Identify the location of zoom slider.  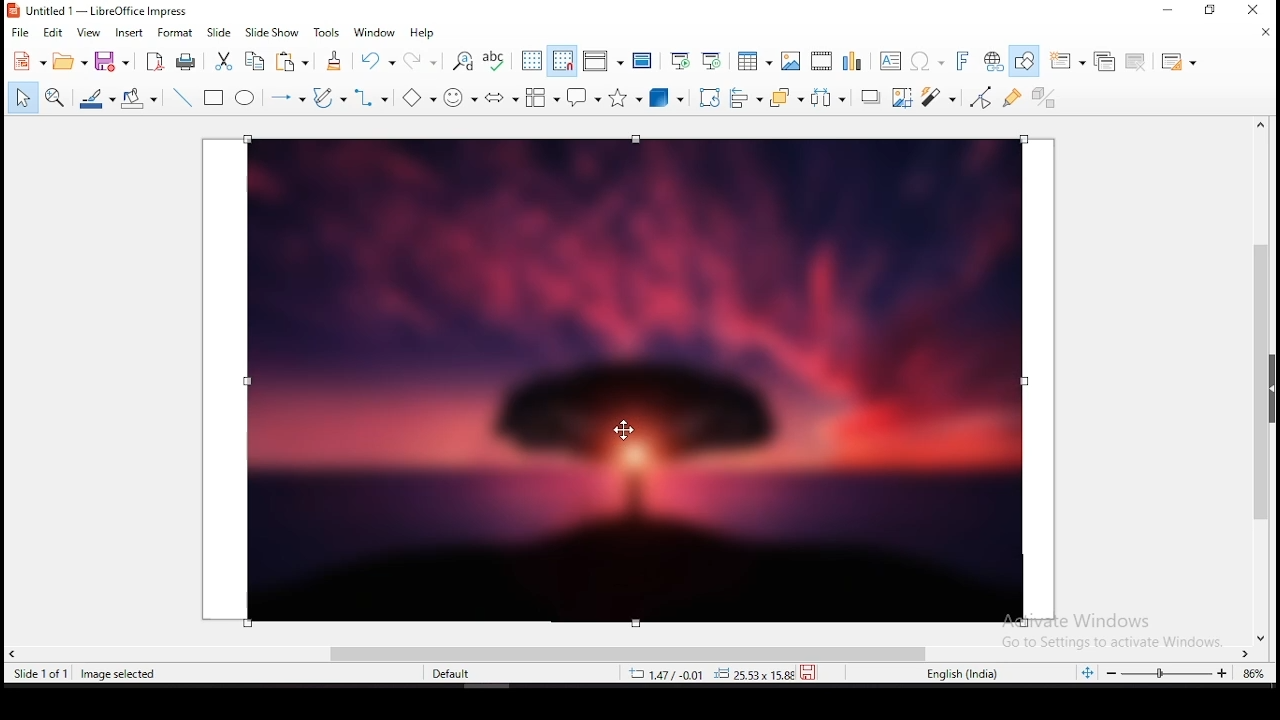
(1167, 674).